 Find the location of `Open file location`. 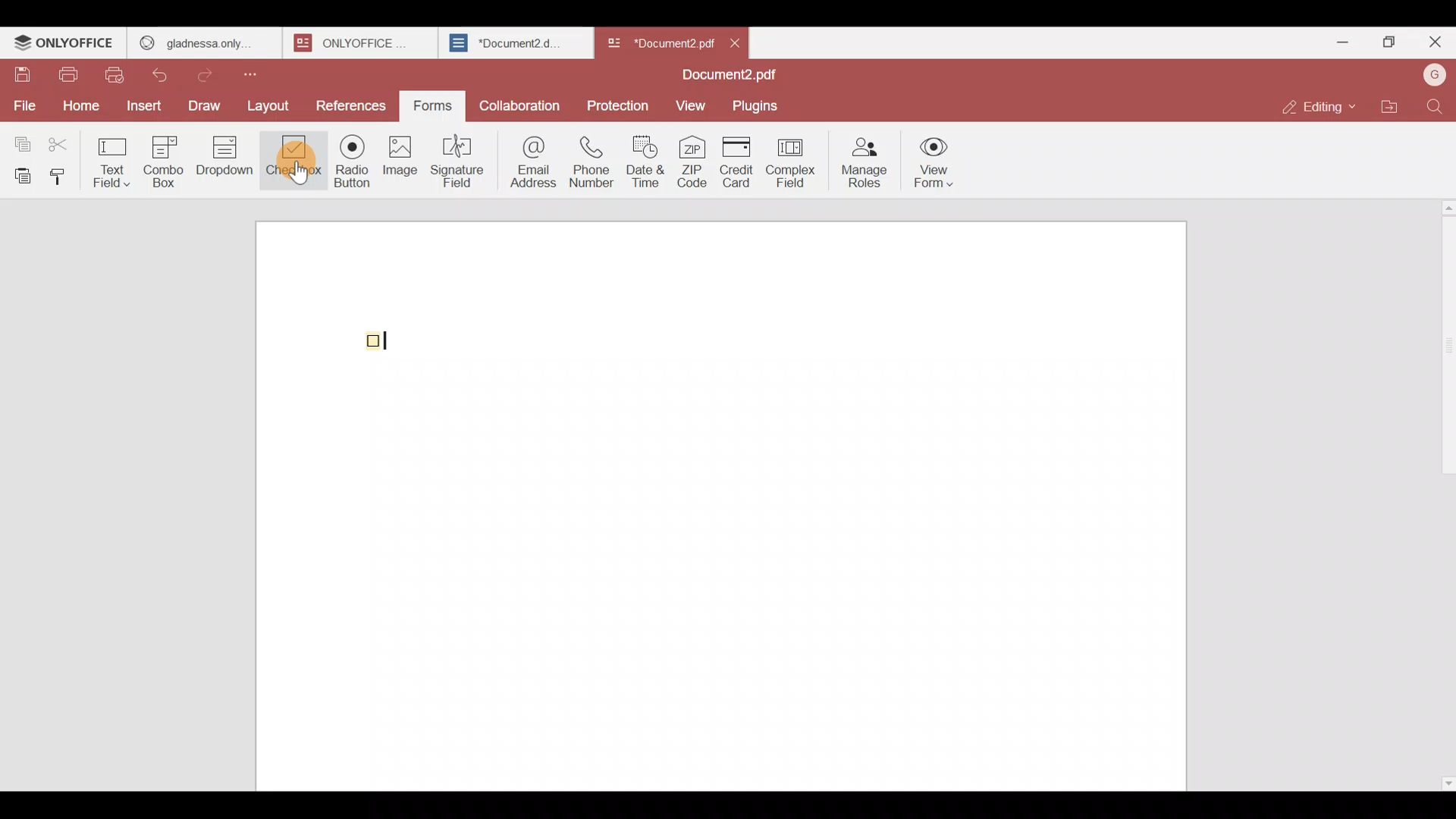

Open file location is located at coordinates (1389, 105).